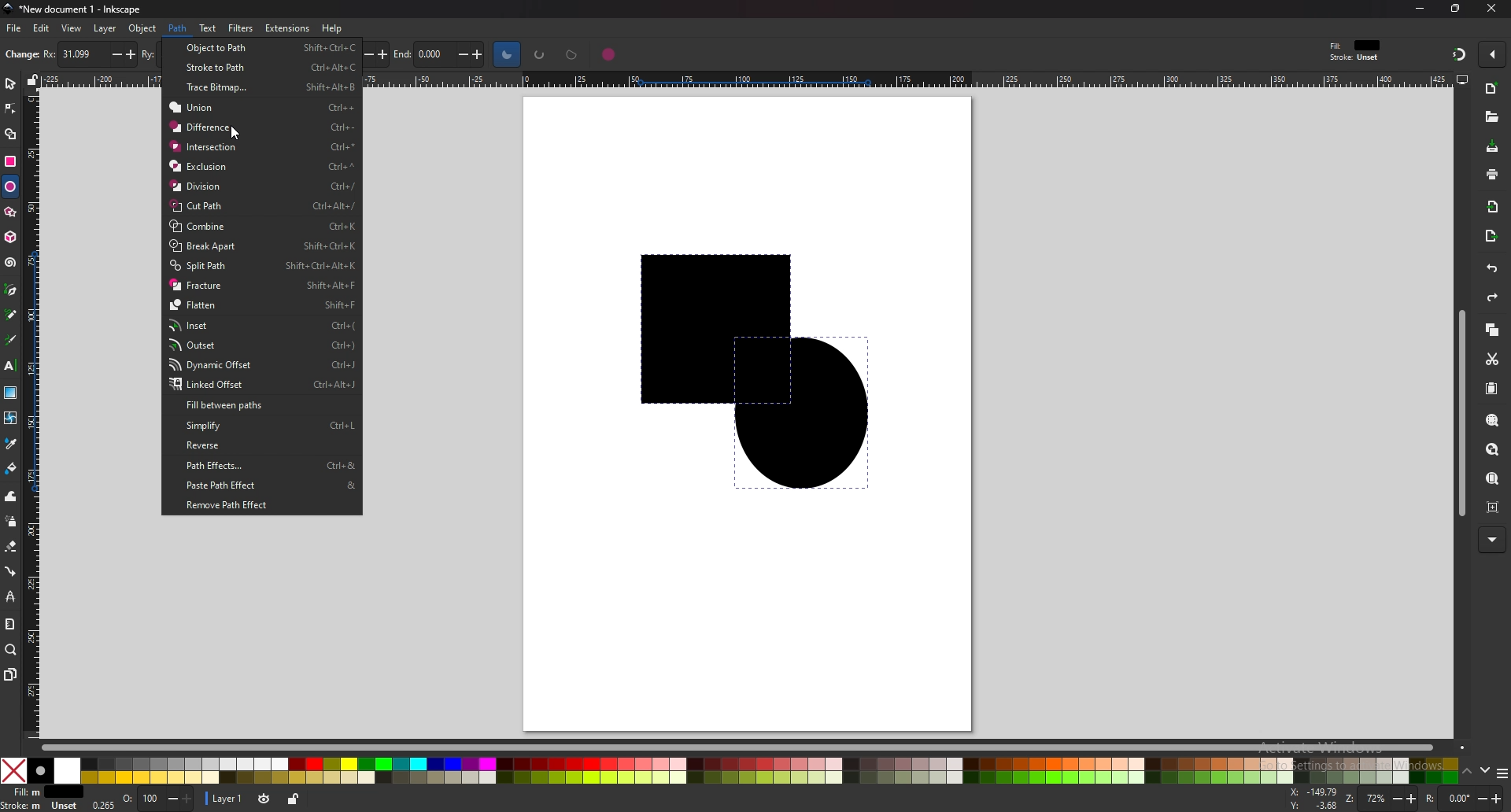  I want to click on text, so click(208, 28).